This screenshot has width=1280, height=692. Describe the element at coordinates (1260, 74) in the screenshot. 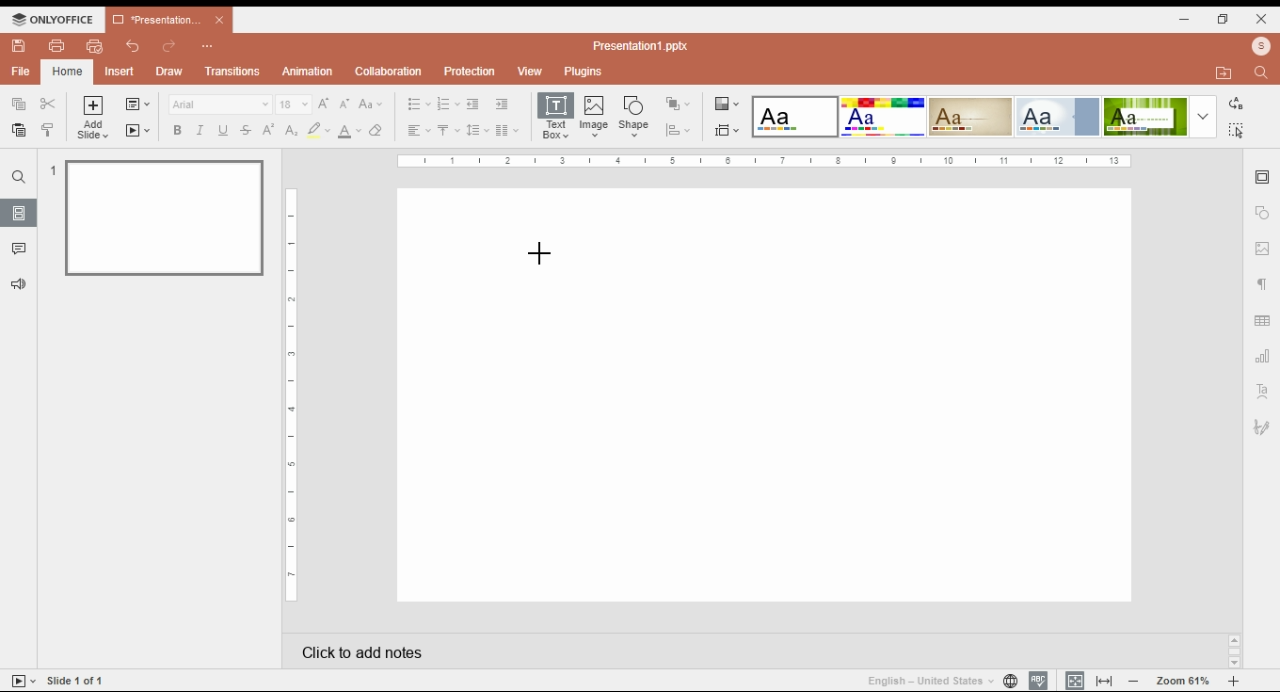

I see `find` at that location.